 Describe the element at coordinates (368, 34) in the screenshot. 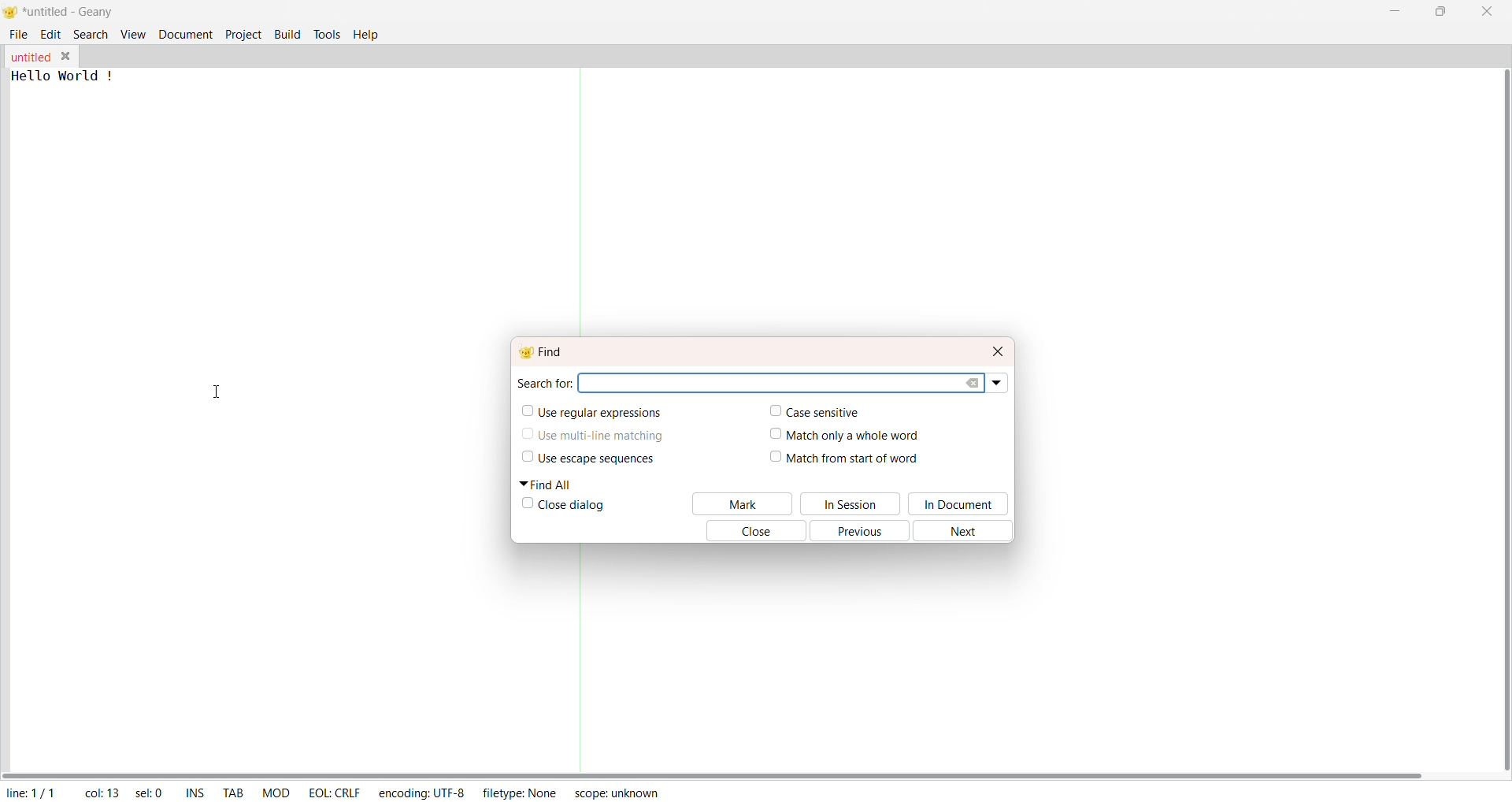

I see `Help` at that location.